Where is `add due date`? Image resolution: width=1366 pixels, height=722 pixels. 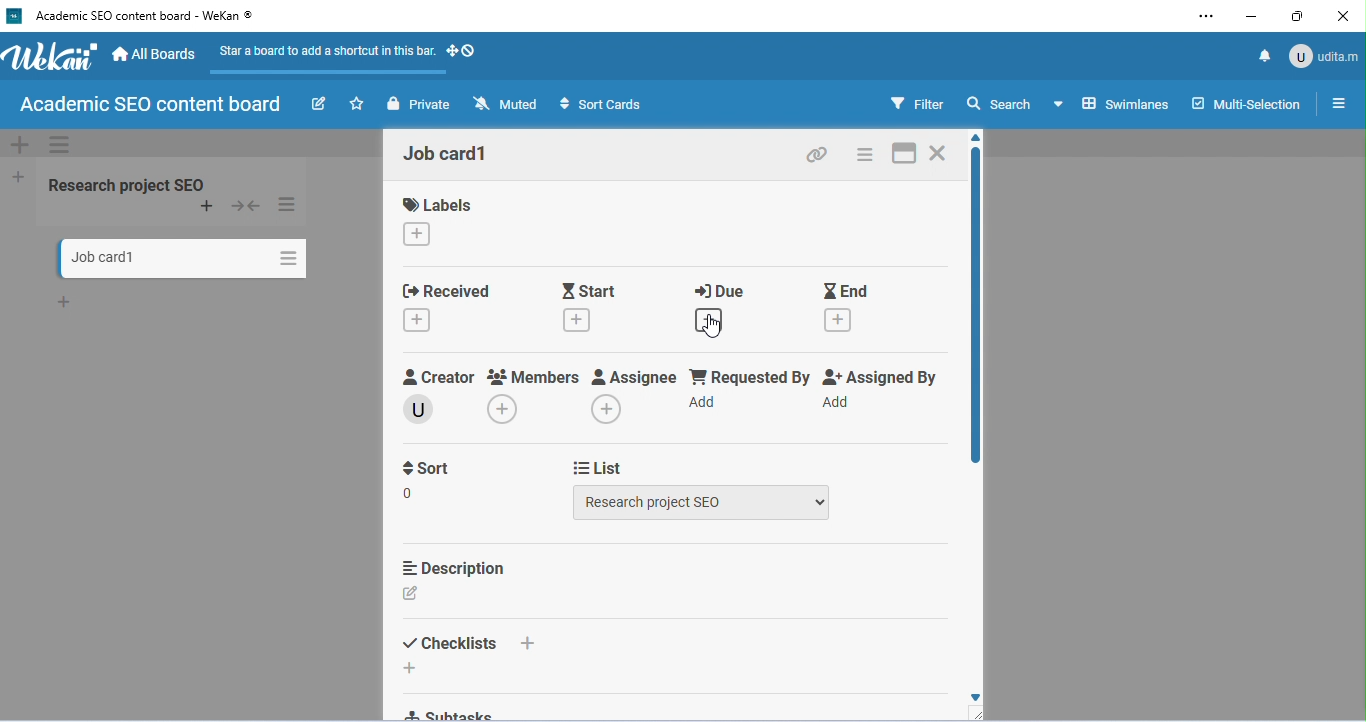 add due date is located at coordinates (714, 318).